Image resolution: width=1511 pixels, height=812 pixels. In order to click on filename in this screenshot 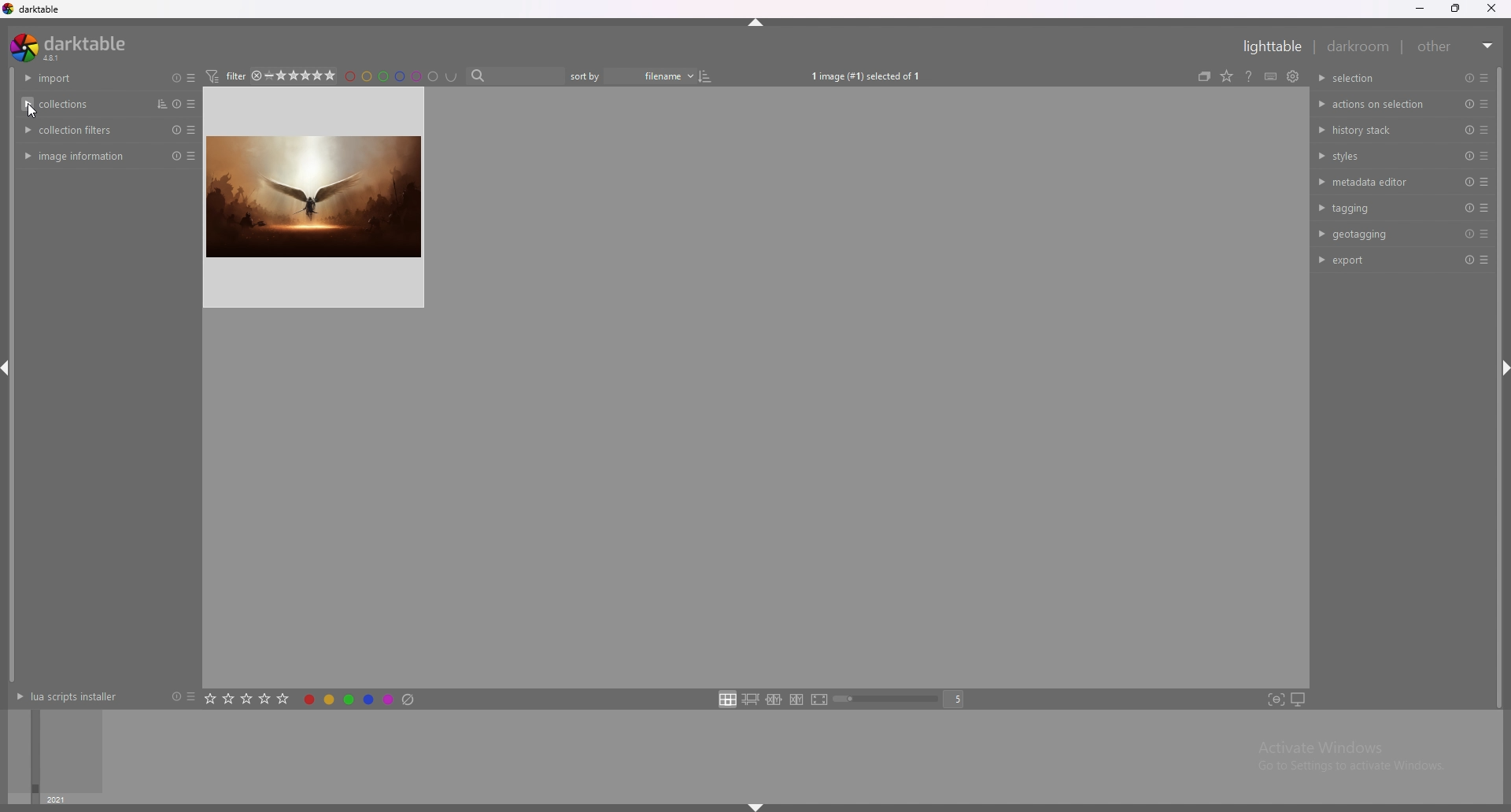, I will do `click(657, 76)`.